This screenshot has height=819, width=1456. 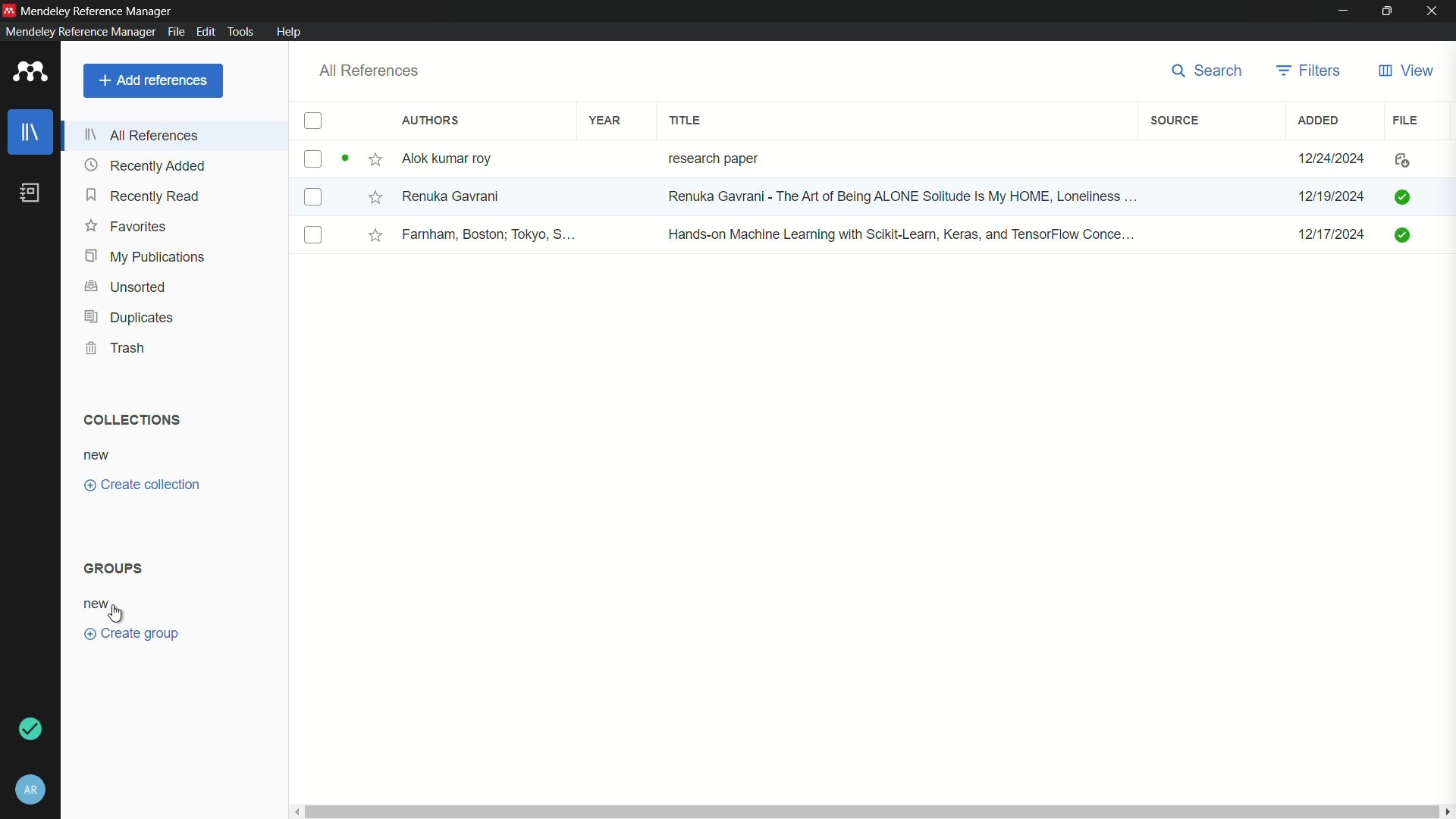 I want to click on minimize, so click(x=1344, y=10).